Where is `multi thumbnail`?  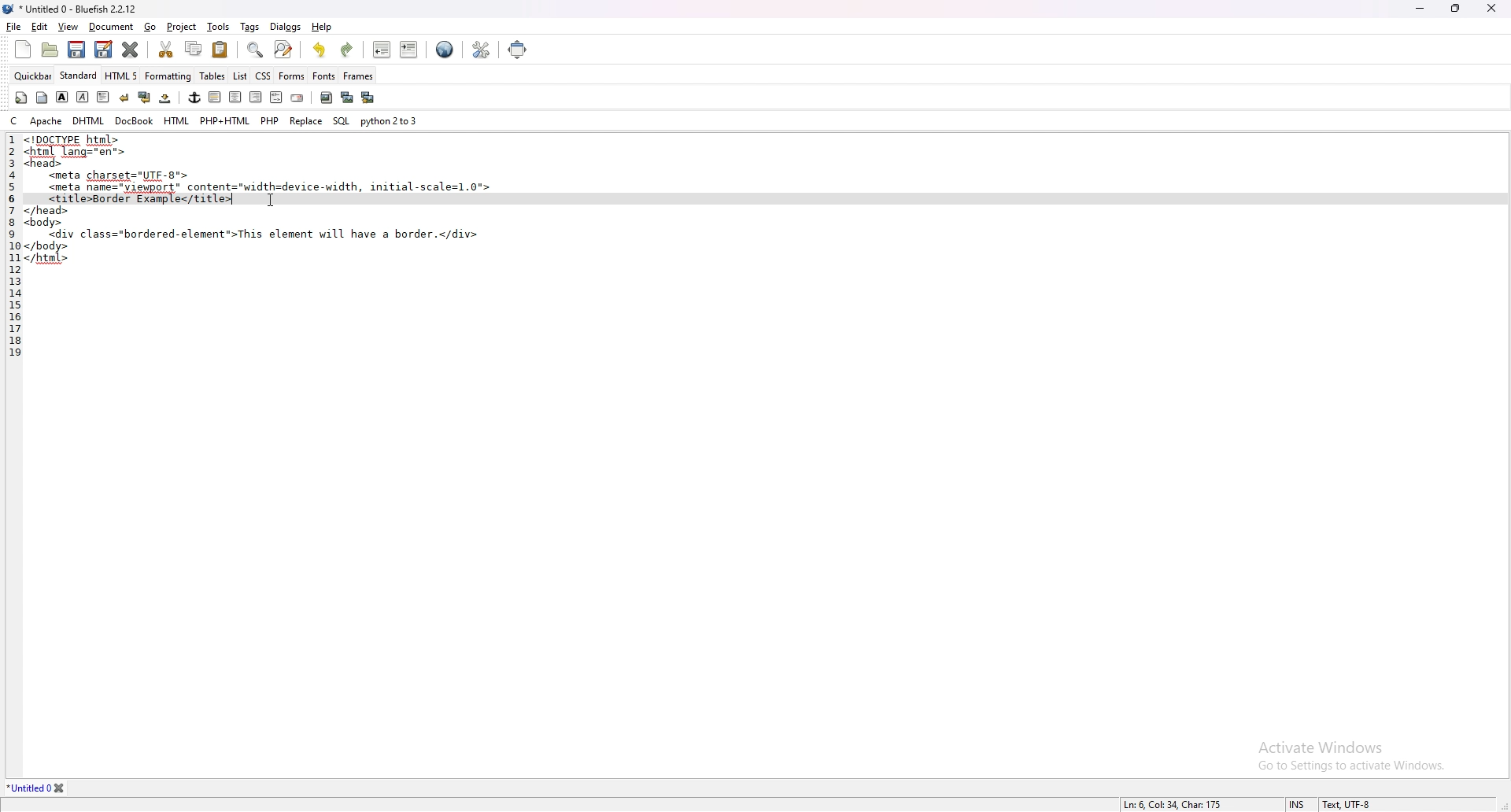
multi thumbnail is located at coordinates (370, 97).